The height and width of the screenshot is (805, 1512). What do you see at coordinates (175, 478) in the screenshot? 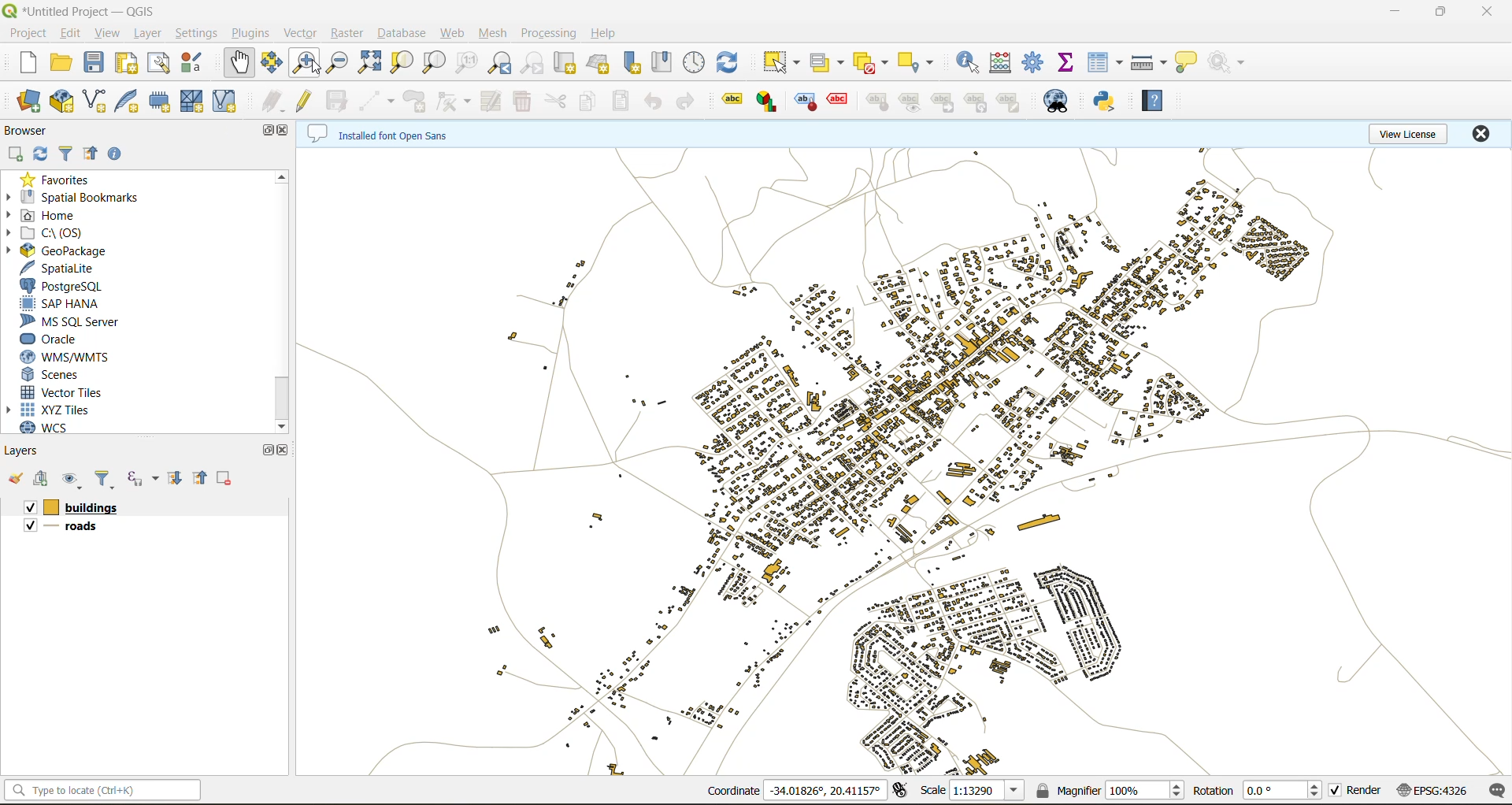
I see `expand all` at bounding box center [175, 478].